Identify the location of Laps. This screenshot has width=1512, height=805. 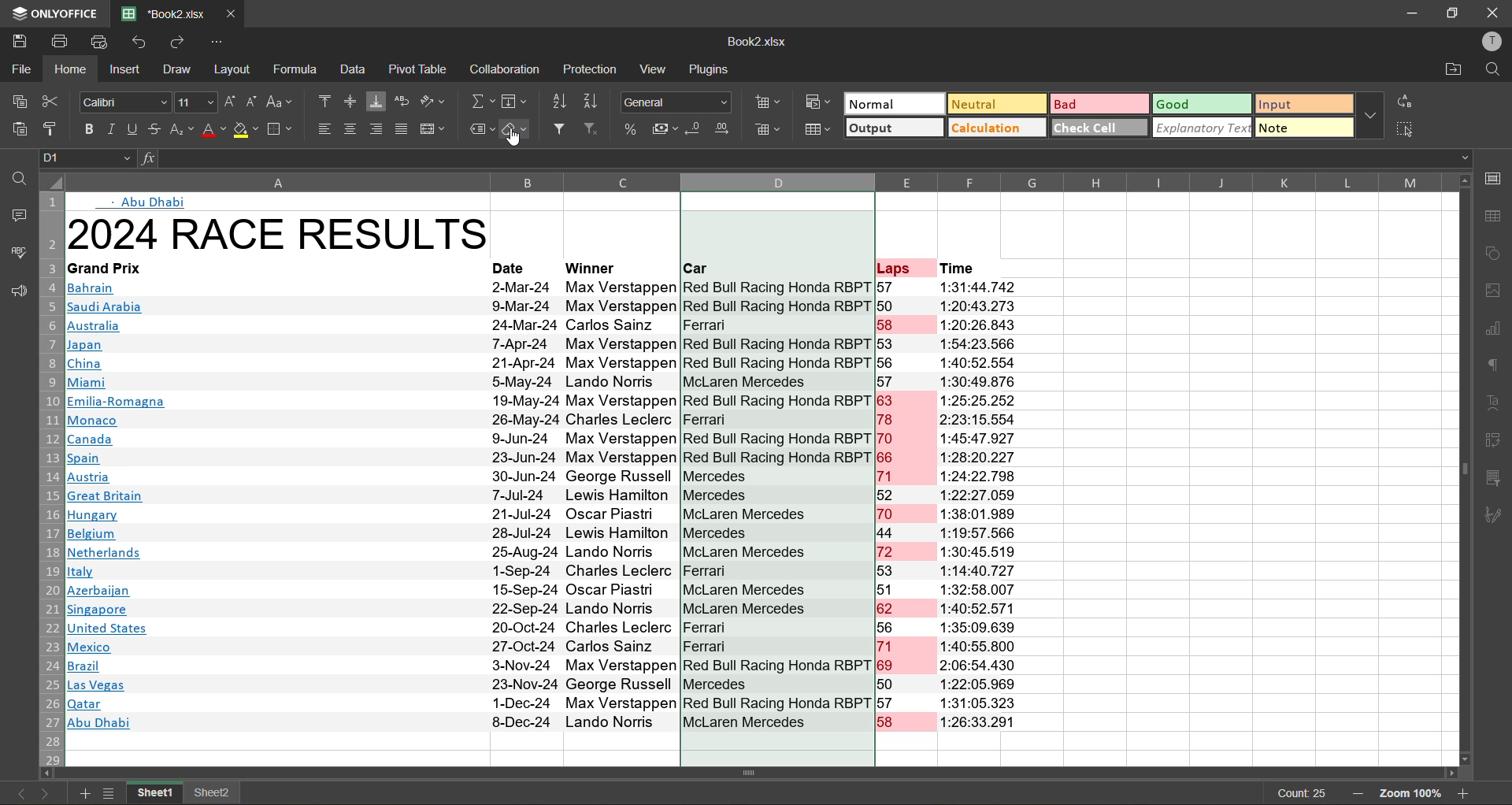
(893, 269).